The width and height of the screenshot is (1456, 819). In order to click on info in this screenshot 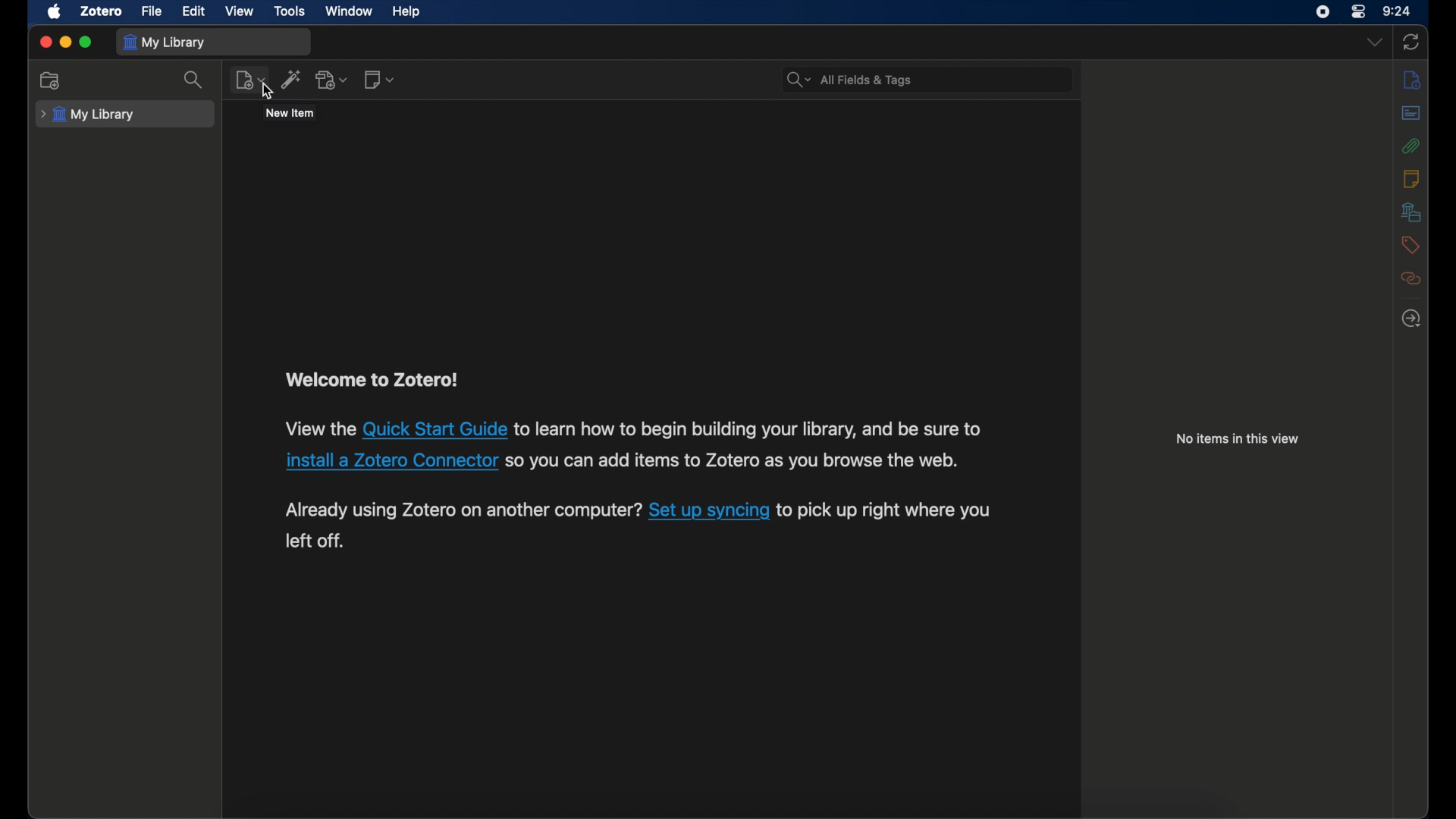, I will do `click(1412, 80)`.